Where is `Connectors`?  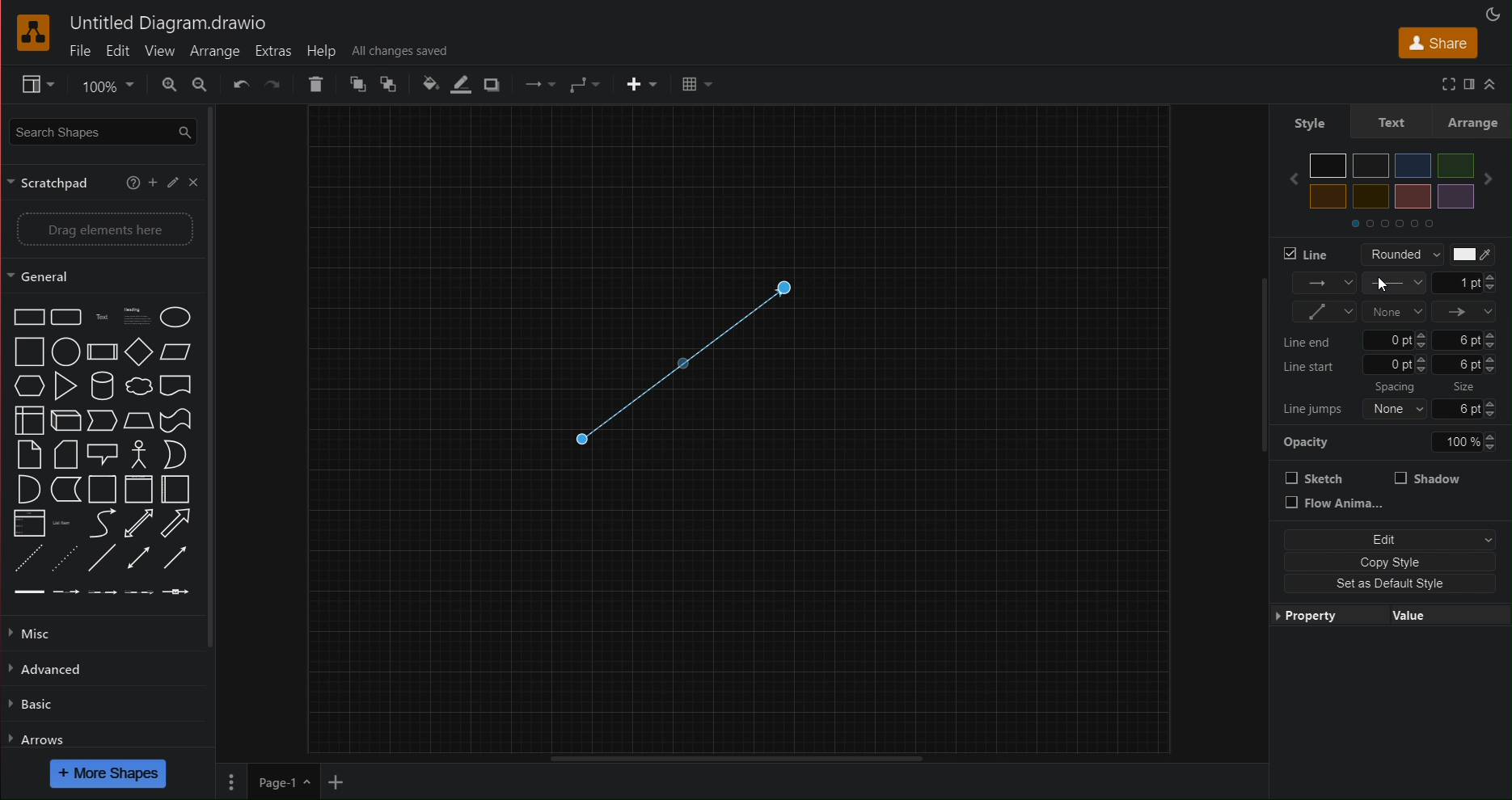 Connectors is located at coordinates (1324, 312).